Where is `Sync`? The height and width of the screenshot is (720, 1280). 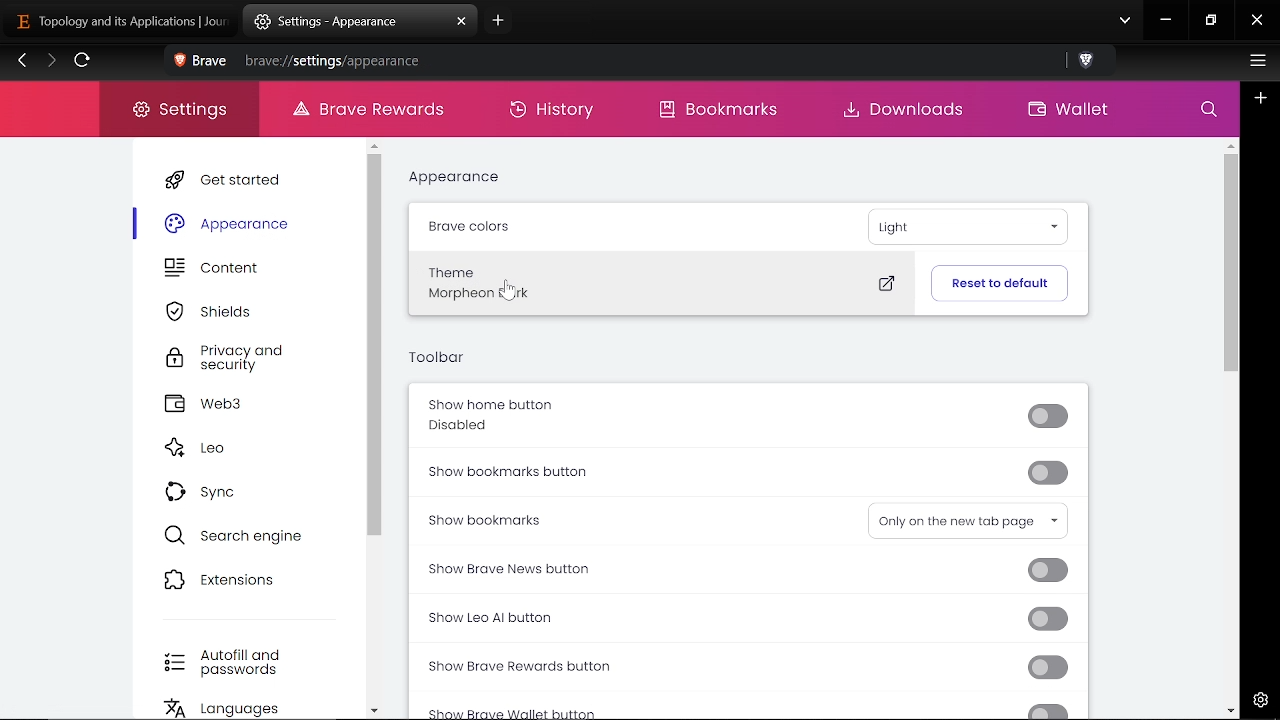 Sync is located at coordinates (211, 490).